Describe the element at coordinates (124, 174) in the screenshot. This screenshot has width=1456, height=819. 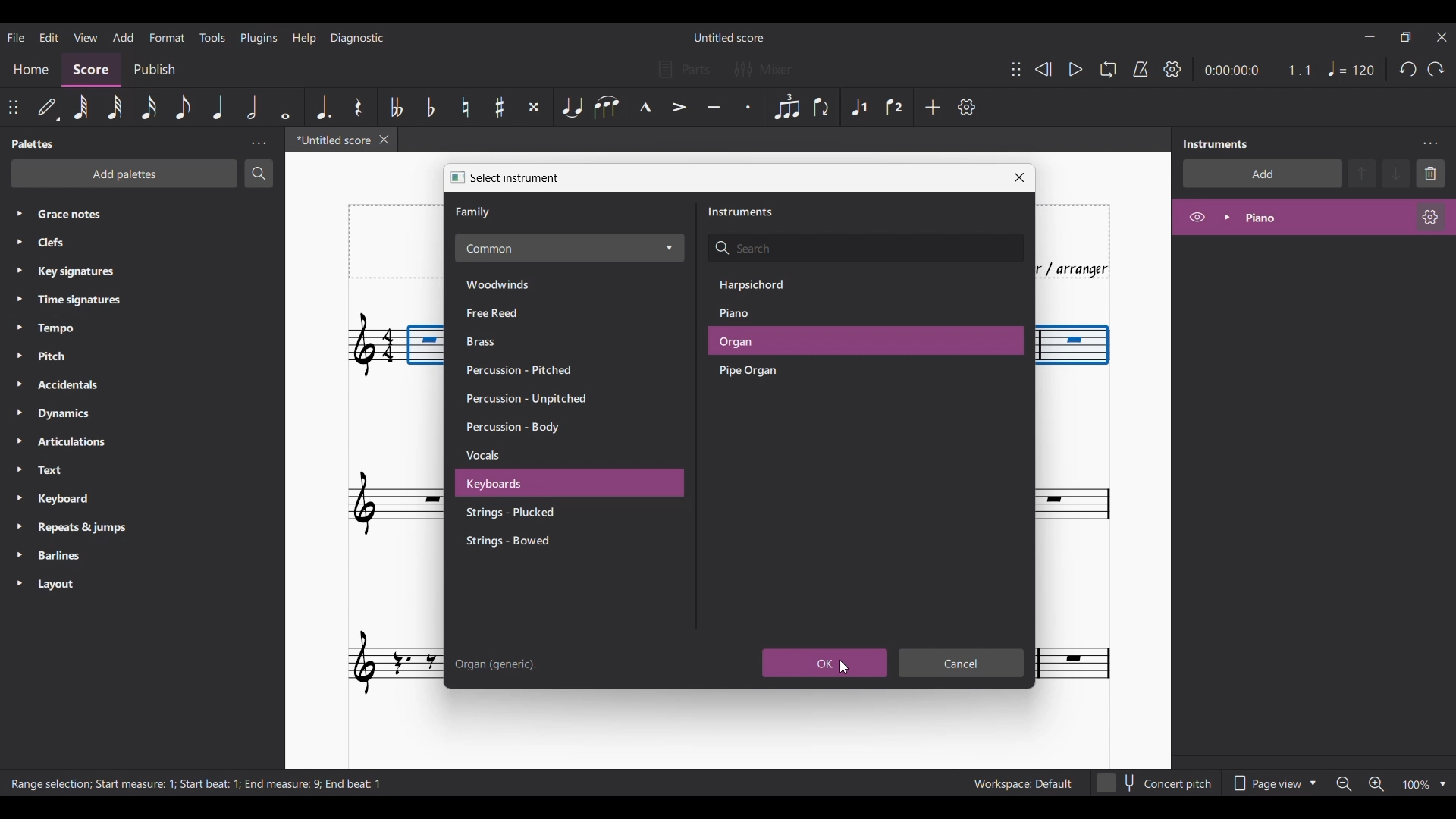
I see `Add palette` at that location.